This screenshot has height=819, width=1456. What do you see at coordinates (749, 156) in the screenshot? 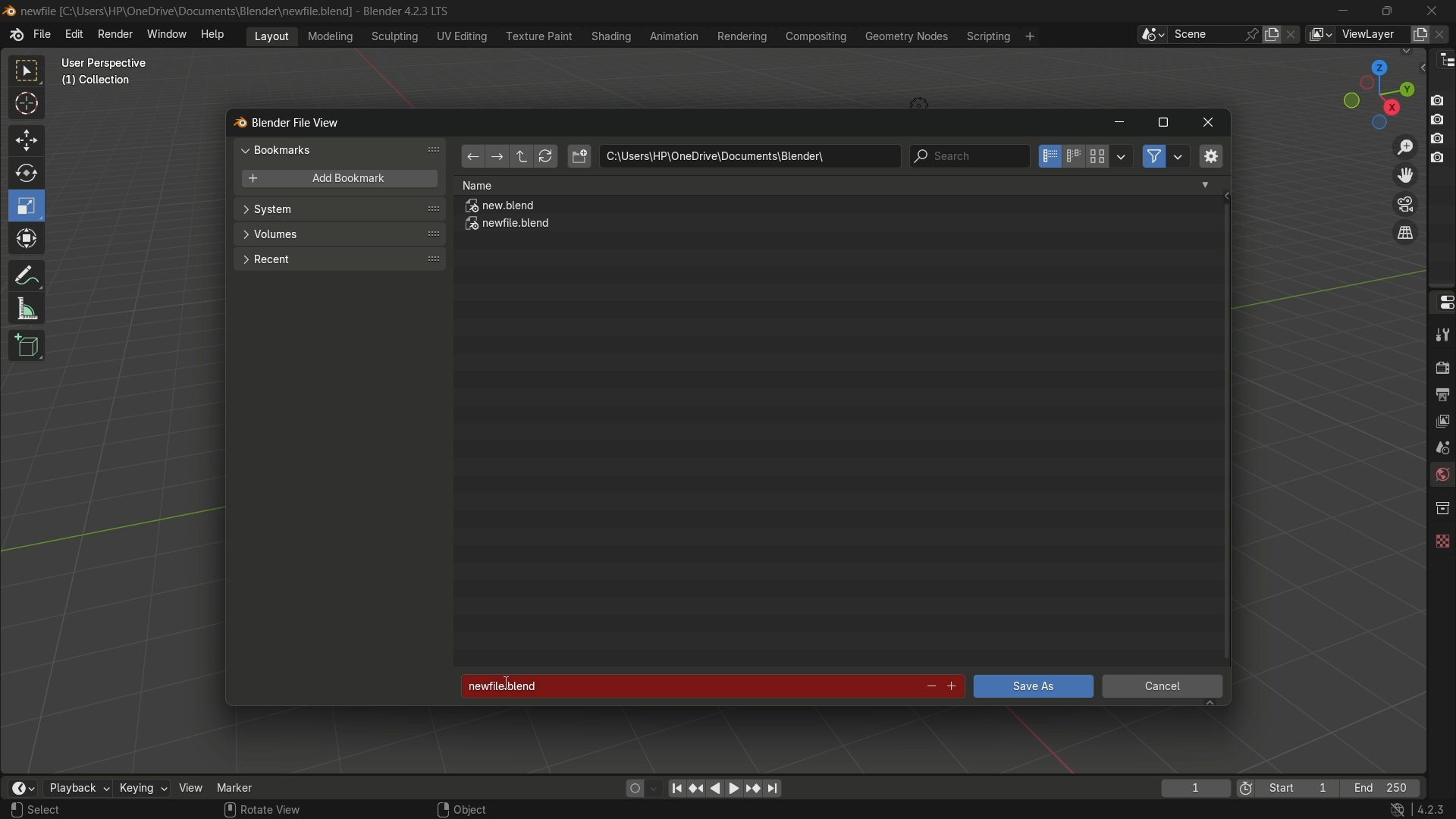
I see `location` at bounding box center [749, 156].